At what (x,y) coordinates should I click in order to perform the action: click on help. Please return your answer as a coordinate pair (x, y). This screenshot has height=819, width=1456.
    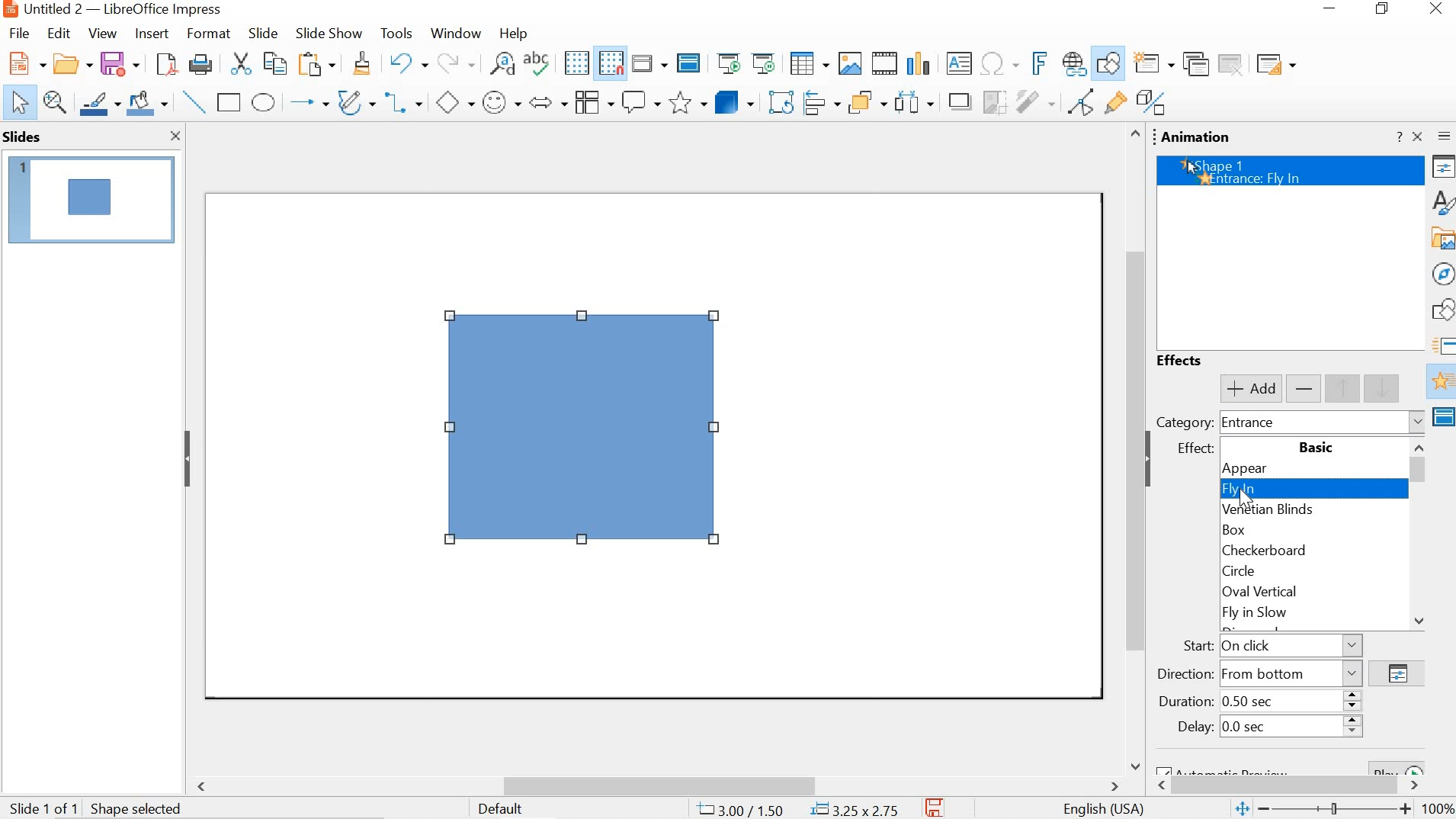
    Looking at the image, I should click on (1399, 138).